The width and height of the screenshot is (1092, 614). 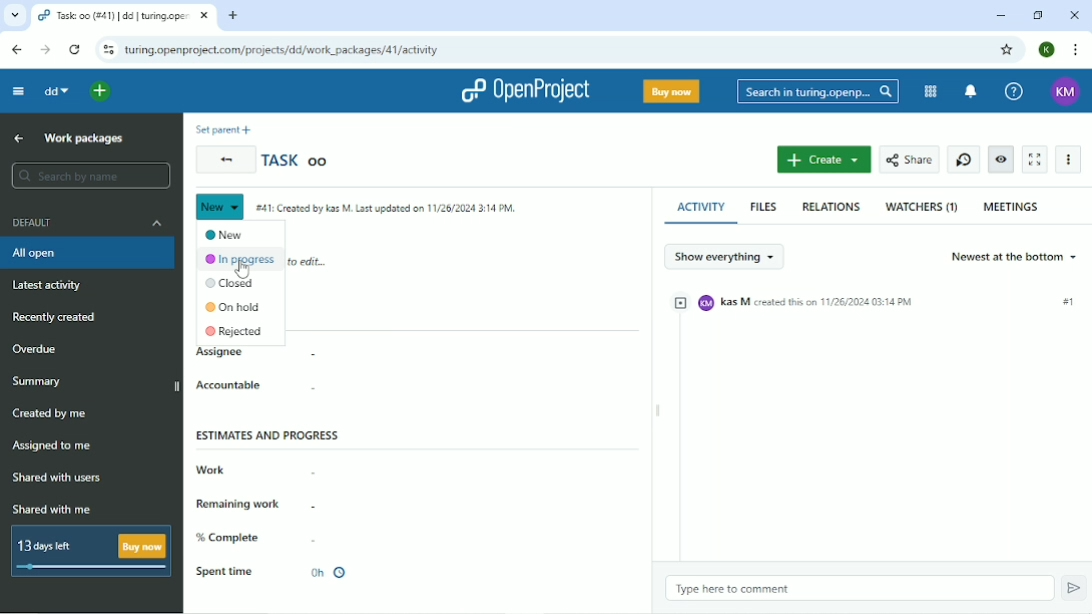 What do you see at coordinates (1001, 159) in the screenshot?
I see `Unwatch work package` at bounding box center [1001, 159].